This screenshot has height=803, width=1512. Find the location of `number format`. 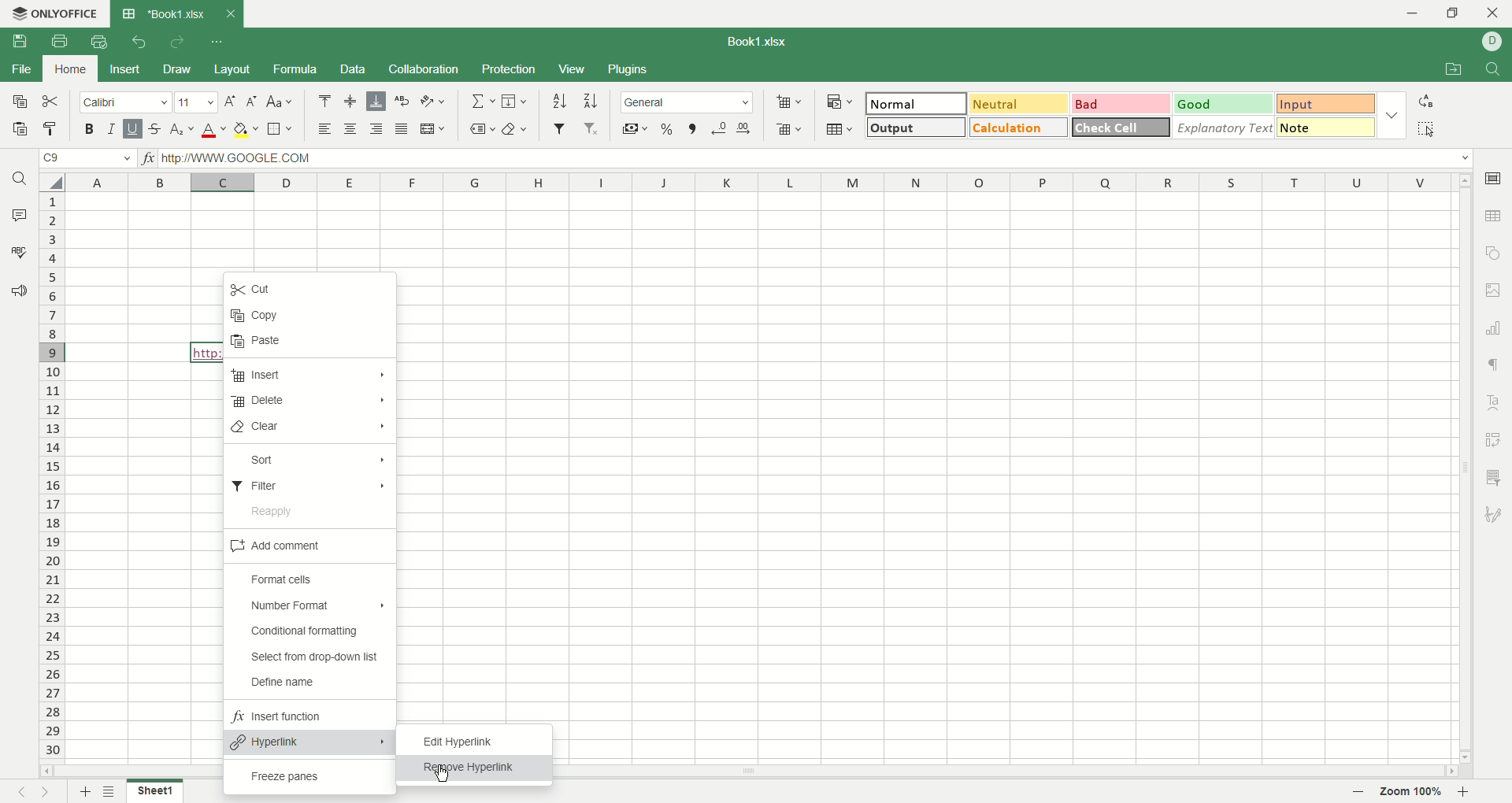

number format is located at coordinates (686, 102).